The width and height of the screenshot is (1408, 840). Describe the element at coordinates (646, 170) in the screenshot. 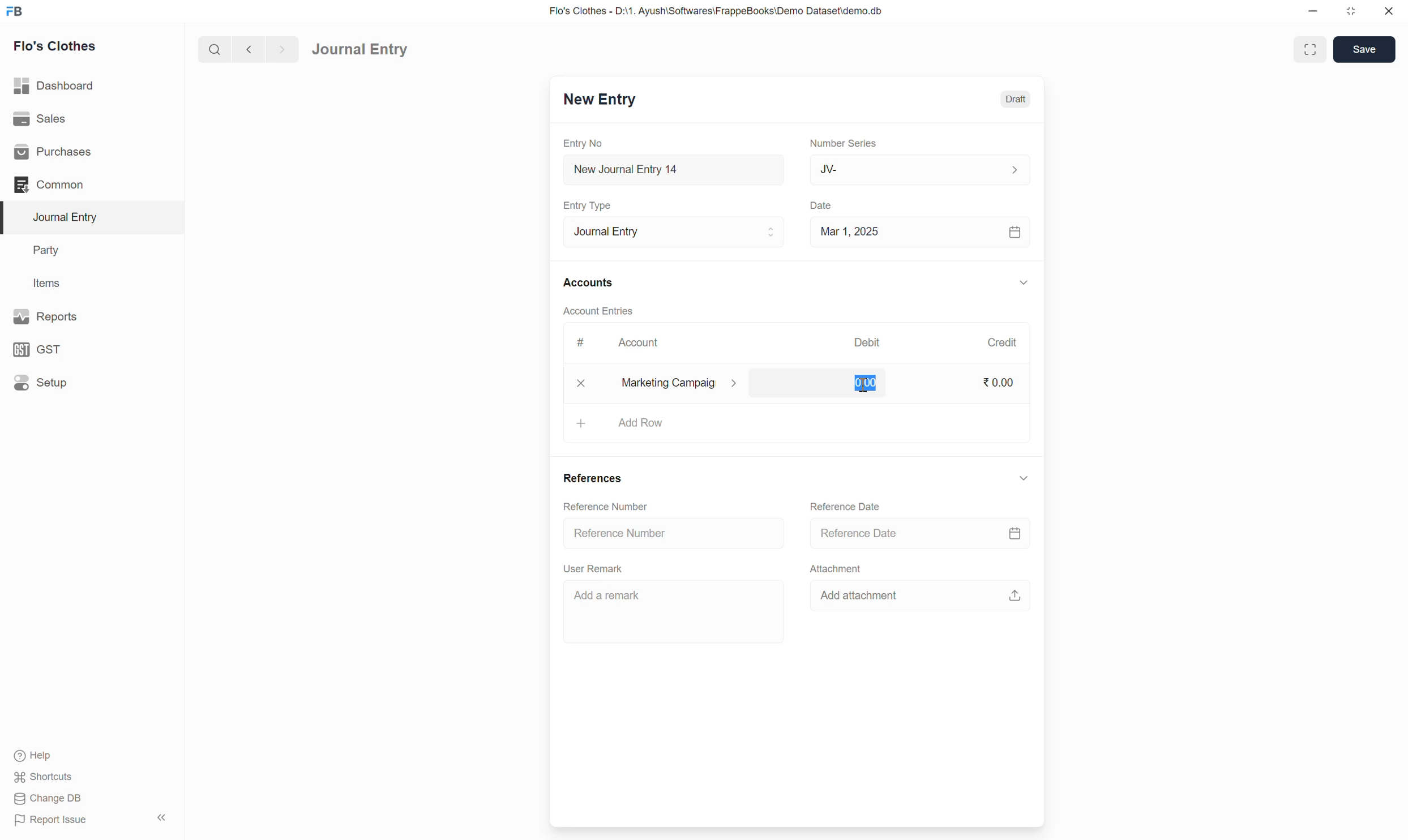

I see `New Journal Entry 14` at that location.